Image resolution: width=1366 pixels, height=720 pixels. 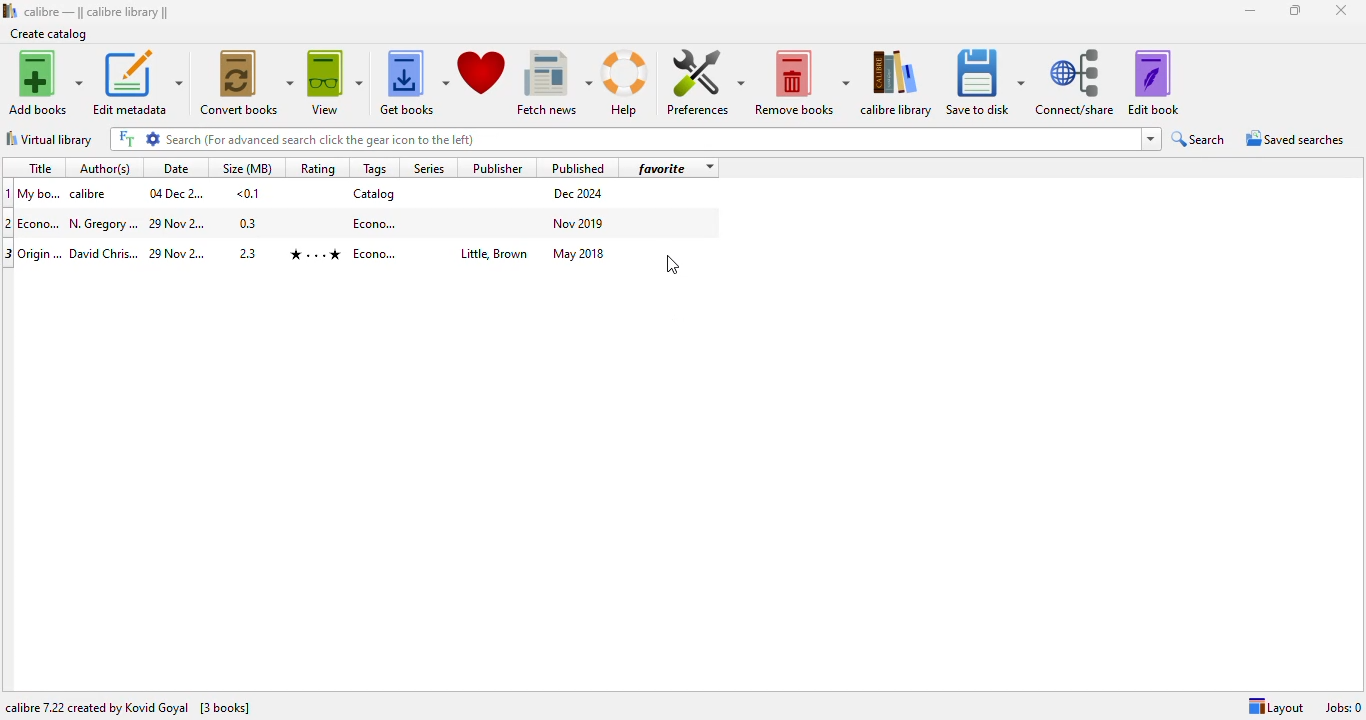 What do you see at coordinates (9, 193) in the screenshot?
I see `1` at bounding box center [9, 193].